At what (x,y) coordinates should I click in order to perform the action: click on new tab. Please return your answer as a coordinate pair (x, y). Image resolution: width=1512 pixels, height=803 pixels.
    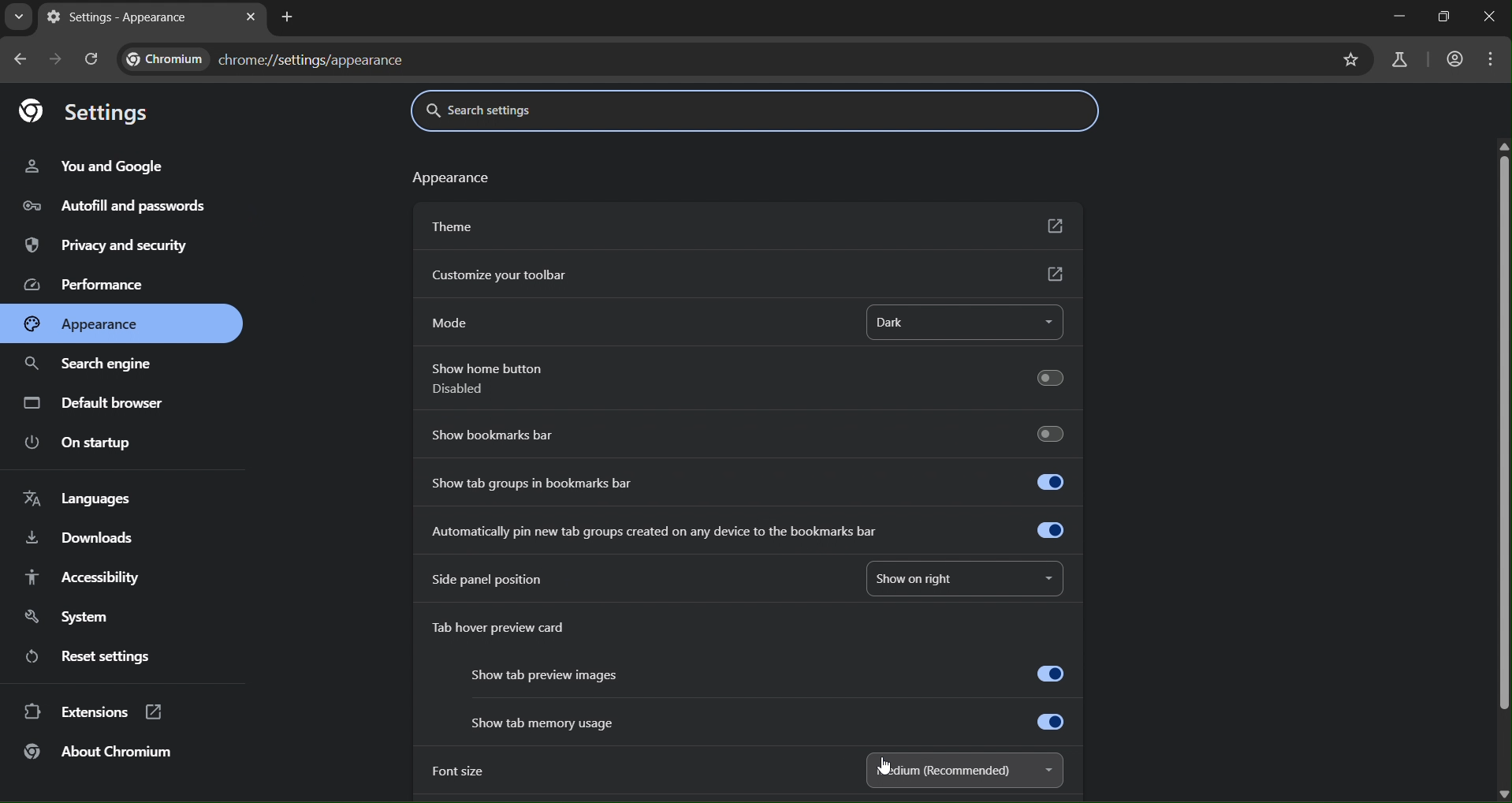
    Looking at the image, I should click on (286, 20).